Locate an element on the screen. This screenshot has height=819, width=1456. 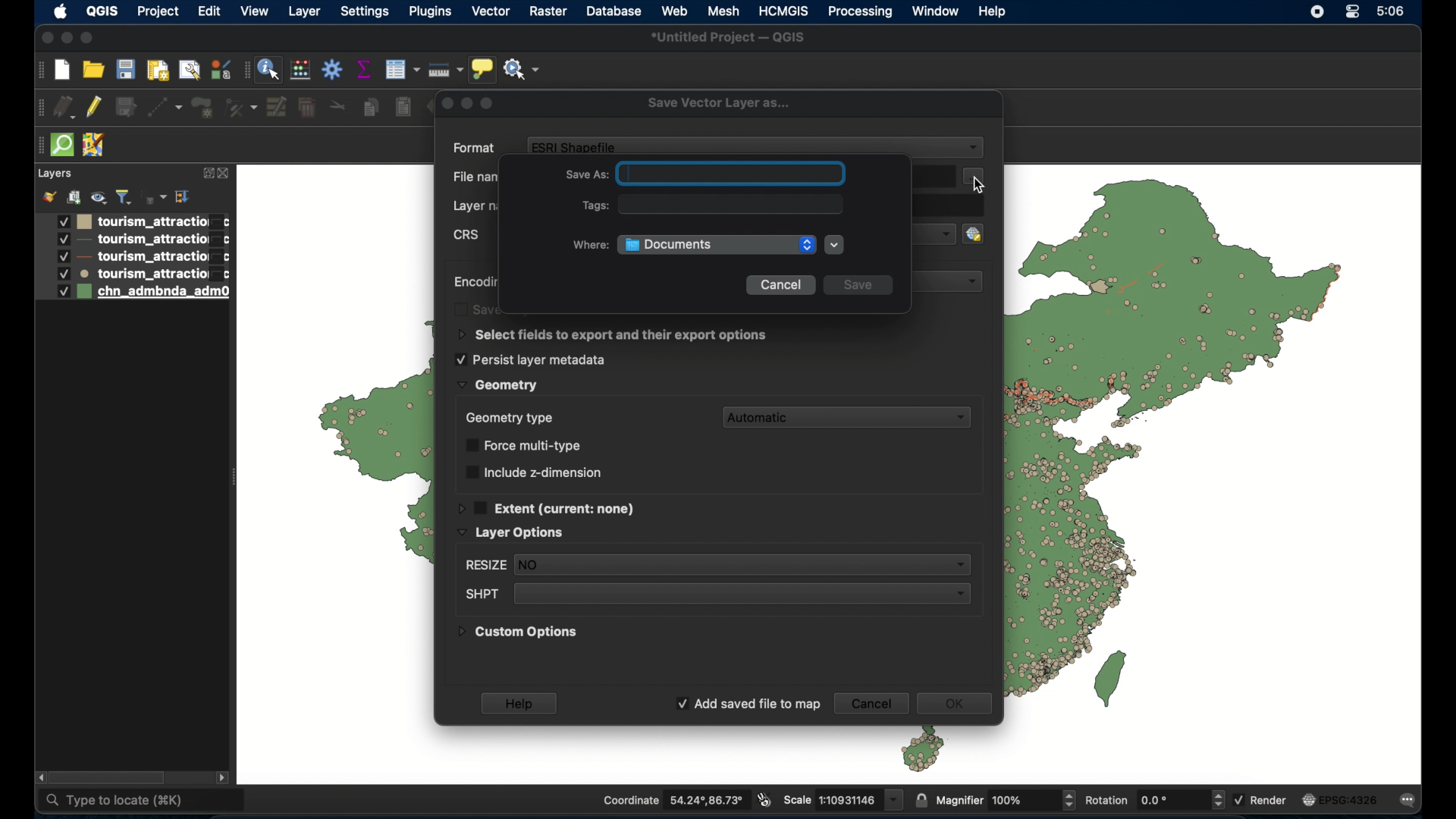
filename more options is located at coordinates (974, 177).